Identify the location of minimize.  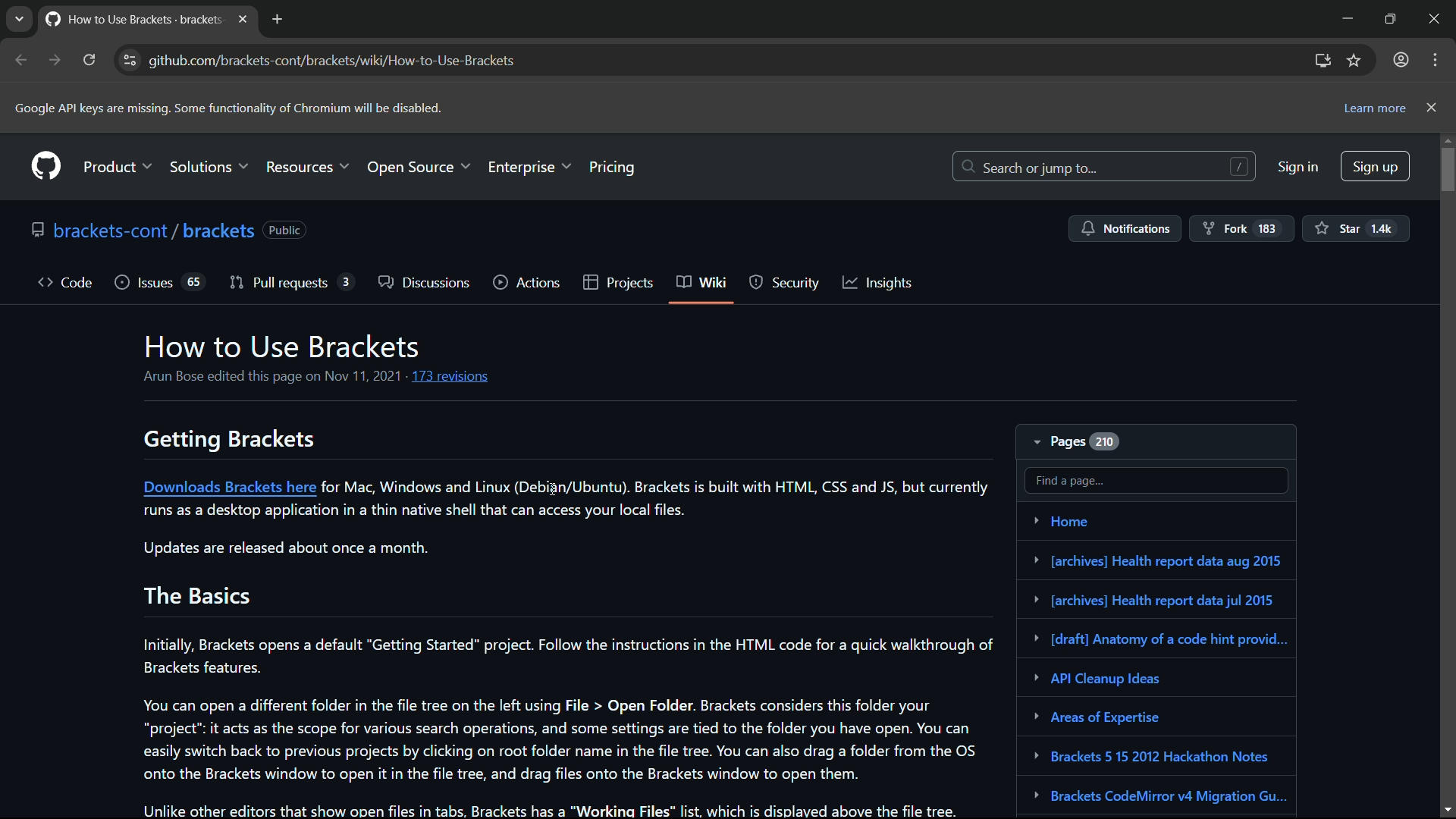
(1344, 17).